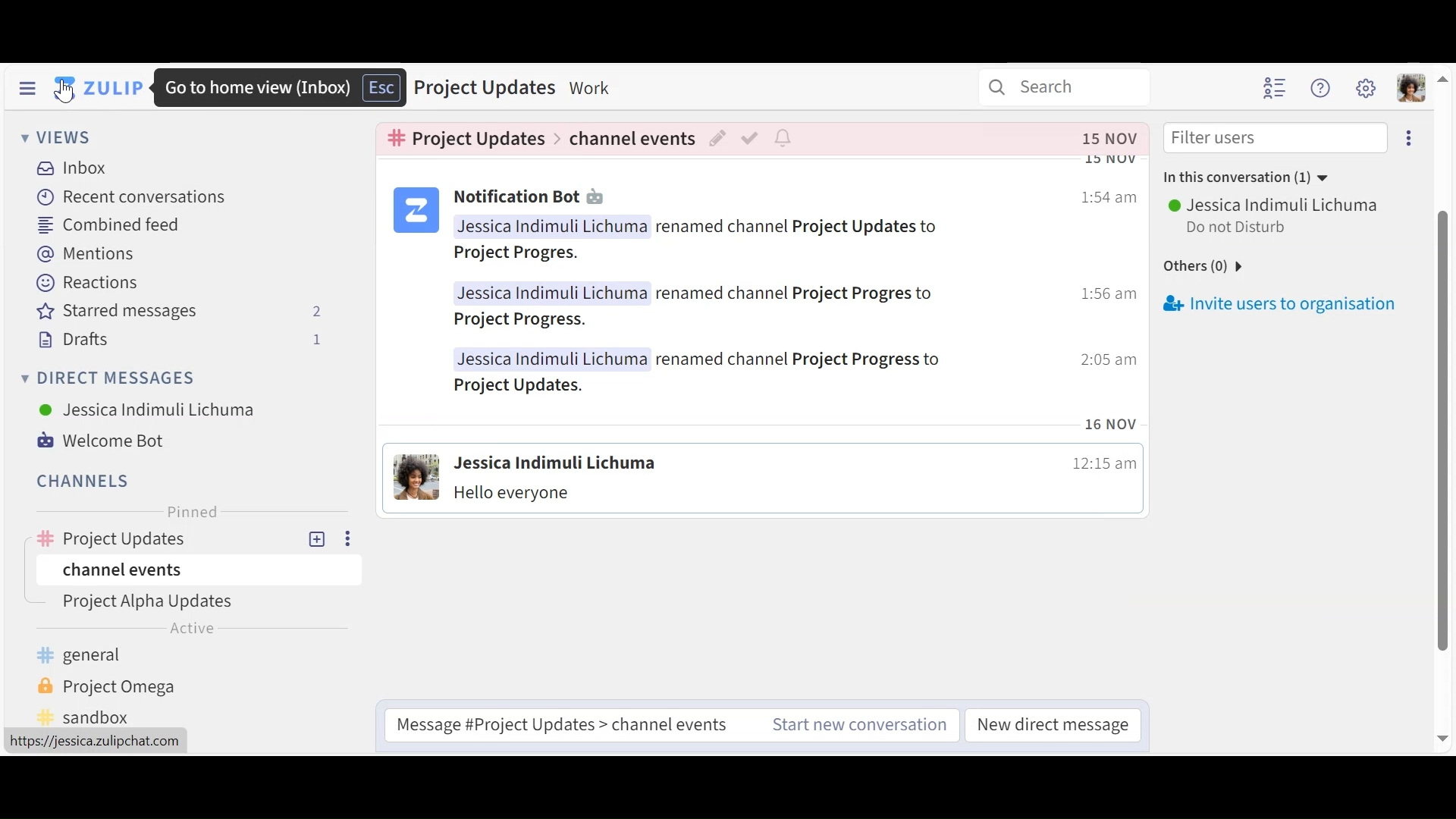 The image size is (1456, 819). Describe the element at coordinates (803, 358) in the screenshot. I see `bot notifications` at that location.